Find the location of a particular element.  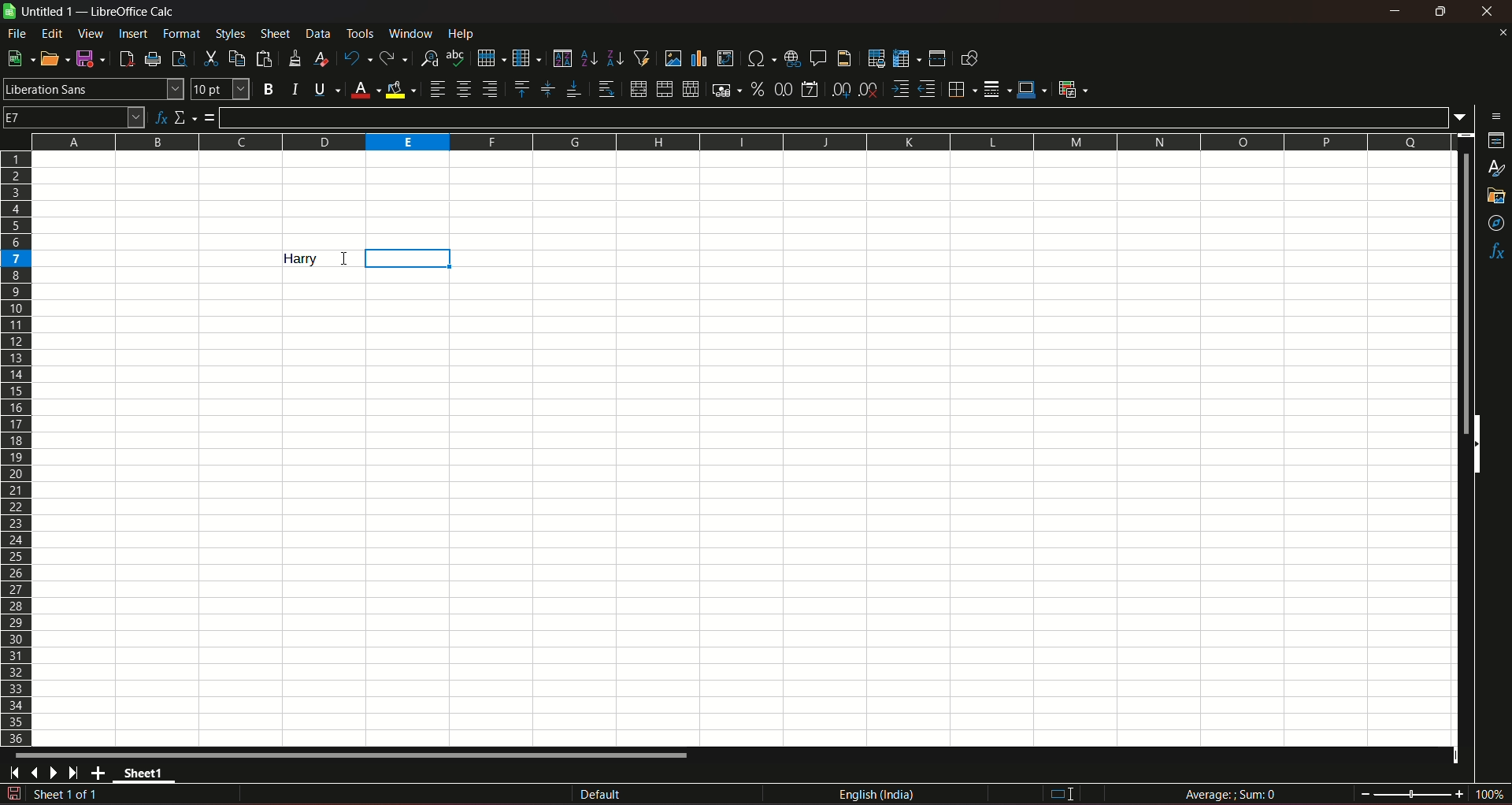

wrap text is located at coordinates (606, 90).